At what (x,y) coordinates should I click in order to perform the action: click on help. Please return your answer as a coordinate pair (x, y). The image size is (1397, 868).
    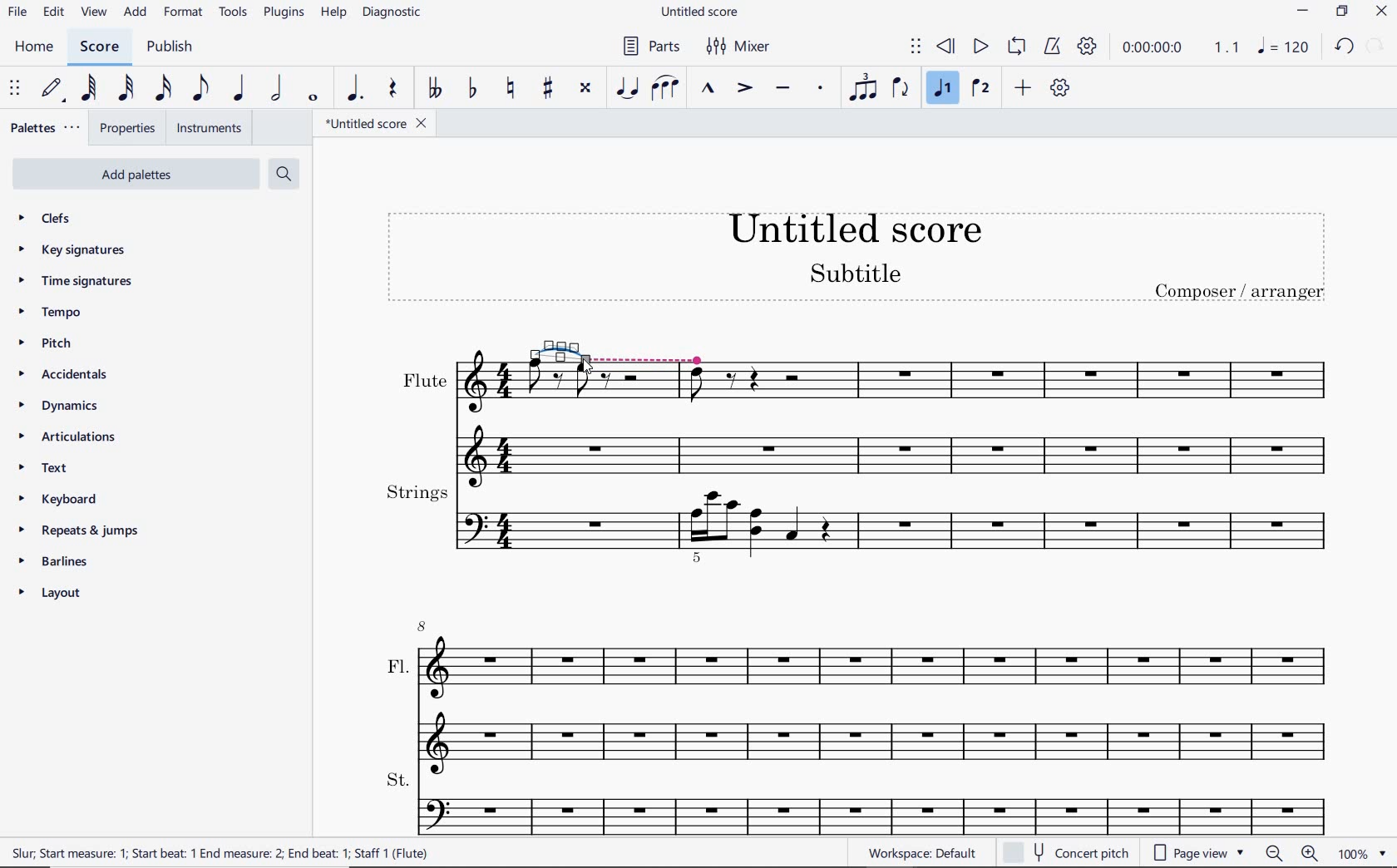
    Looking at the image, I should click on (333, 13).